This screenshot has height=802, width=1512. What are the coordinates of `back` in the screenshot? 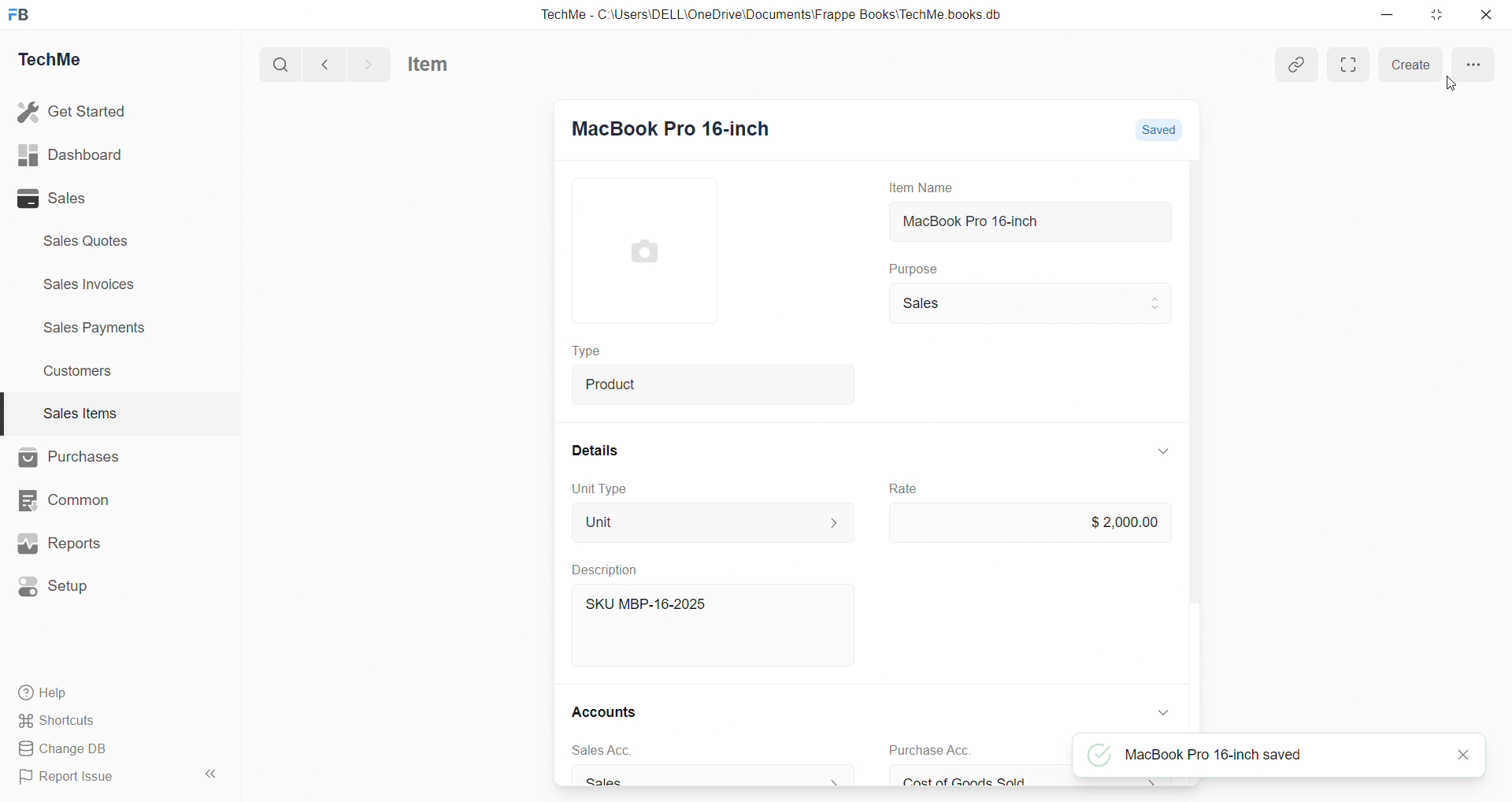 It's located at (326, 64).